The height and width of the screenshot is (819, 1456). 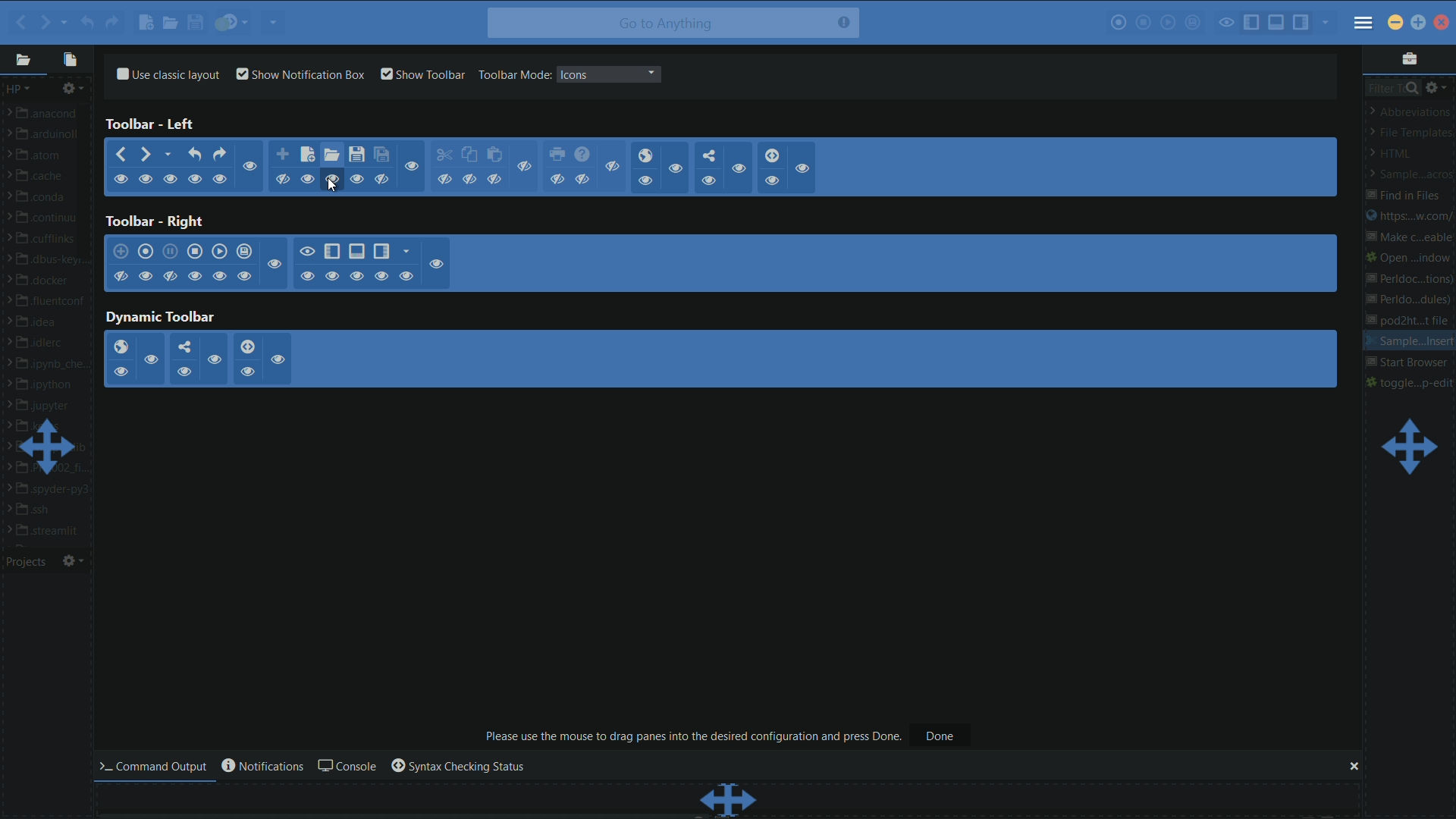 What do you see at coordinates (71, 59) in the screenshot?
I see `open files` at bounding box center [71, 59].